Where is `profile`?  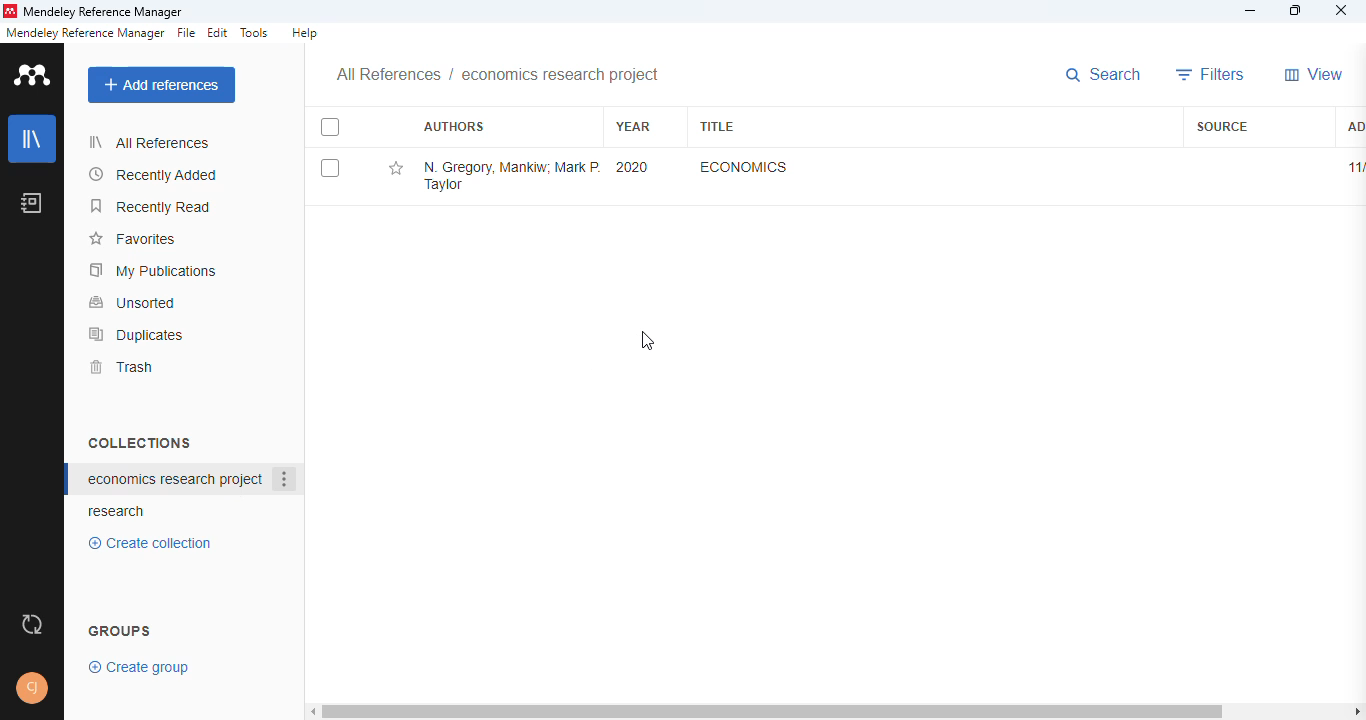 profile is located at coordinates (34, 688).